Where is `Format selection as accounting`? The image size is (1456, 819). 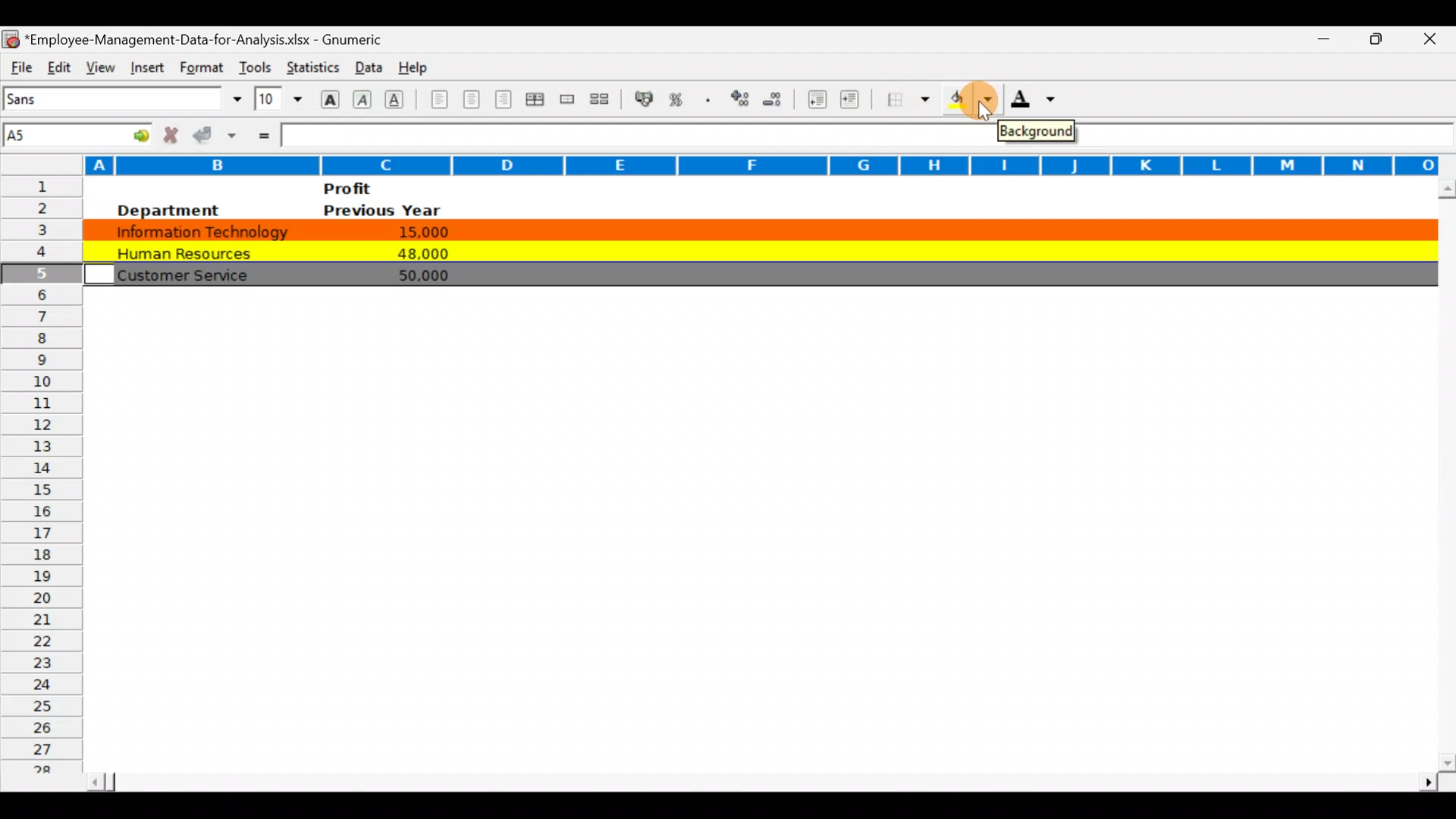 Format selection as accounting is located at coordinates (645, 97).